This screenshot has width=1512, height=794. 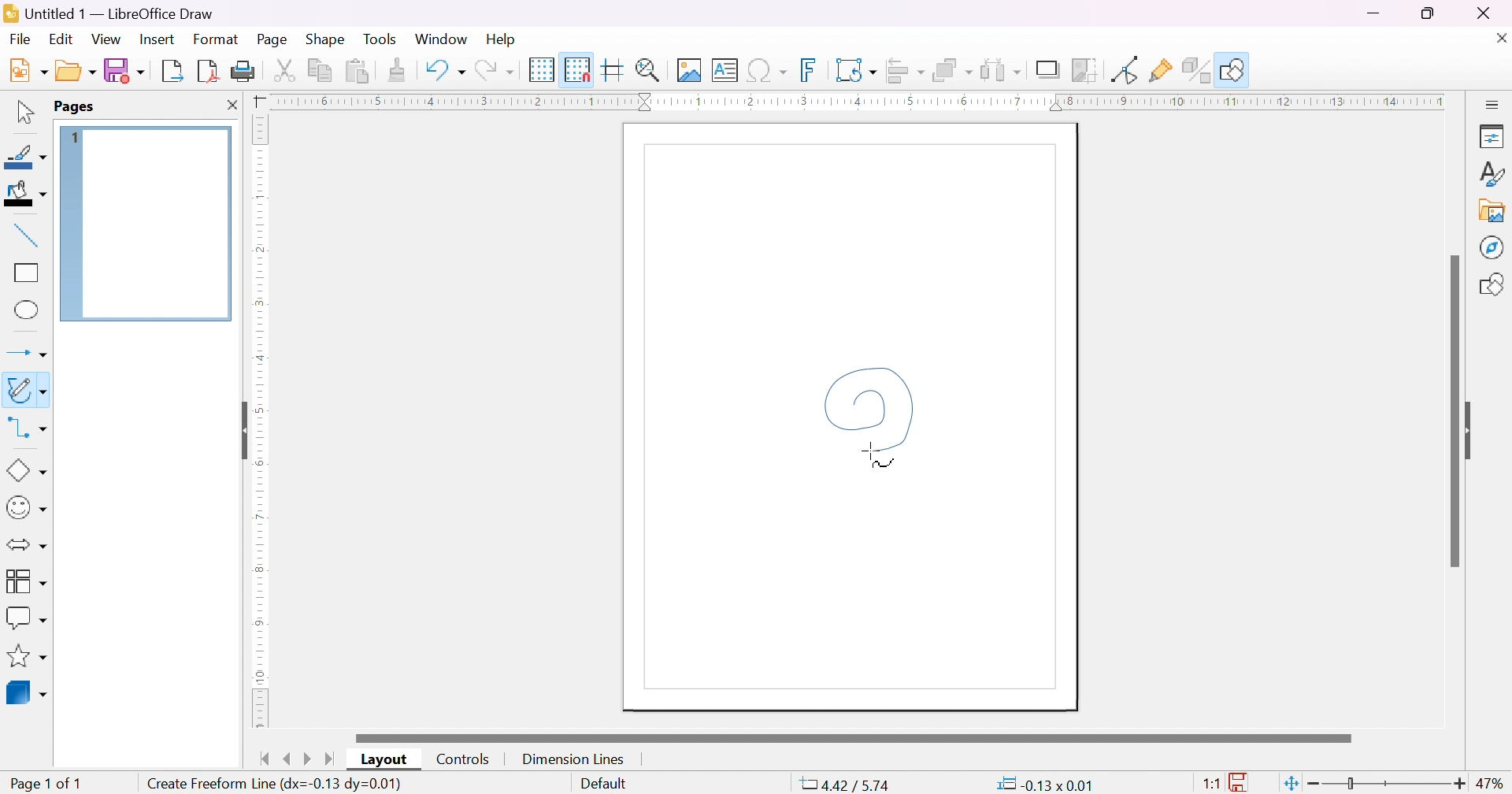 I want to click on edit, so click(x=61, y=37).